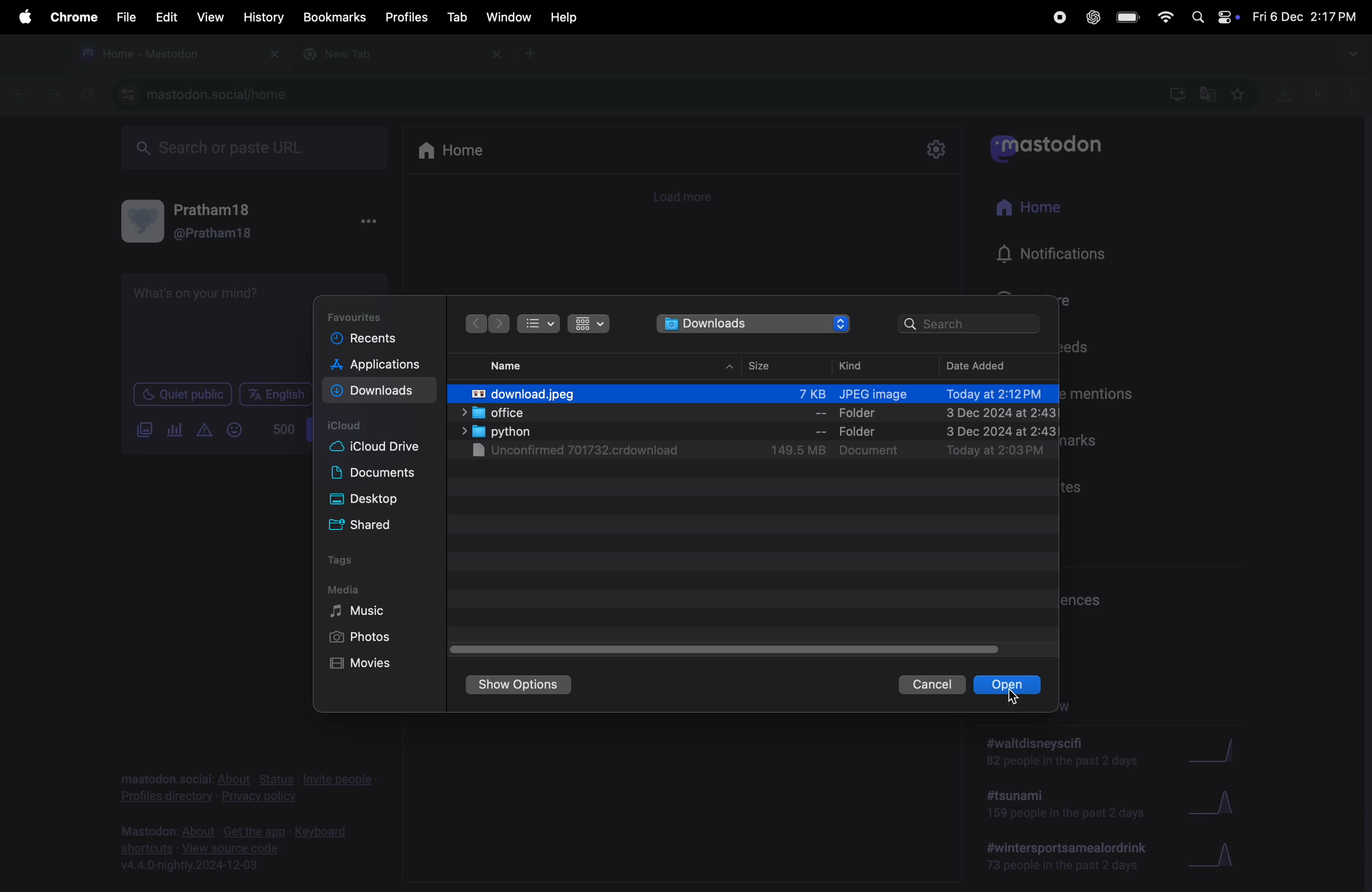 Image resolution: width=1372 pixels, height=892 pixels. What do you see at coordinates (1095, 18) in the screenshot?
I see `chatgpt` at bounding box center [1095, 18].